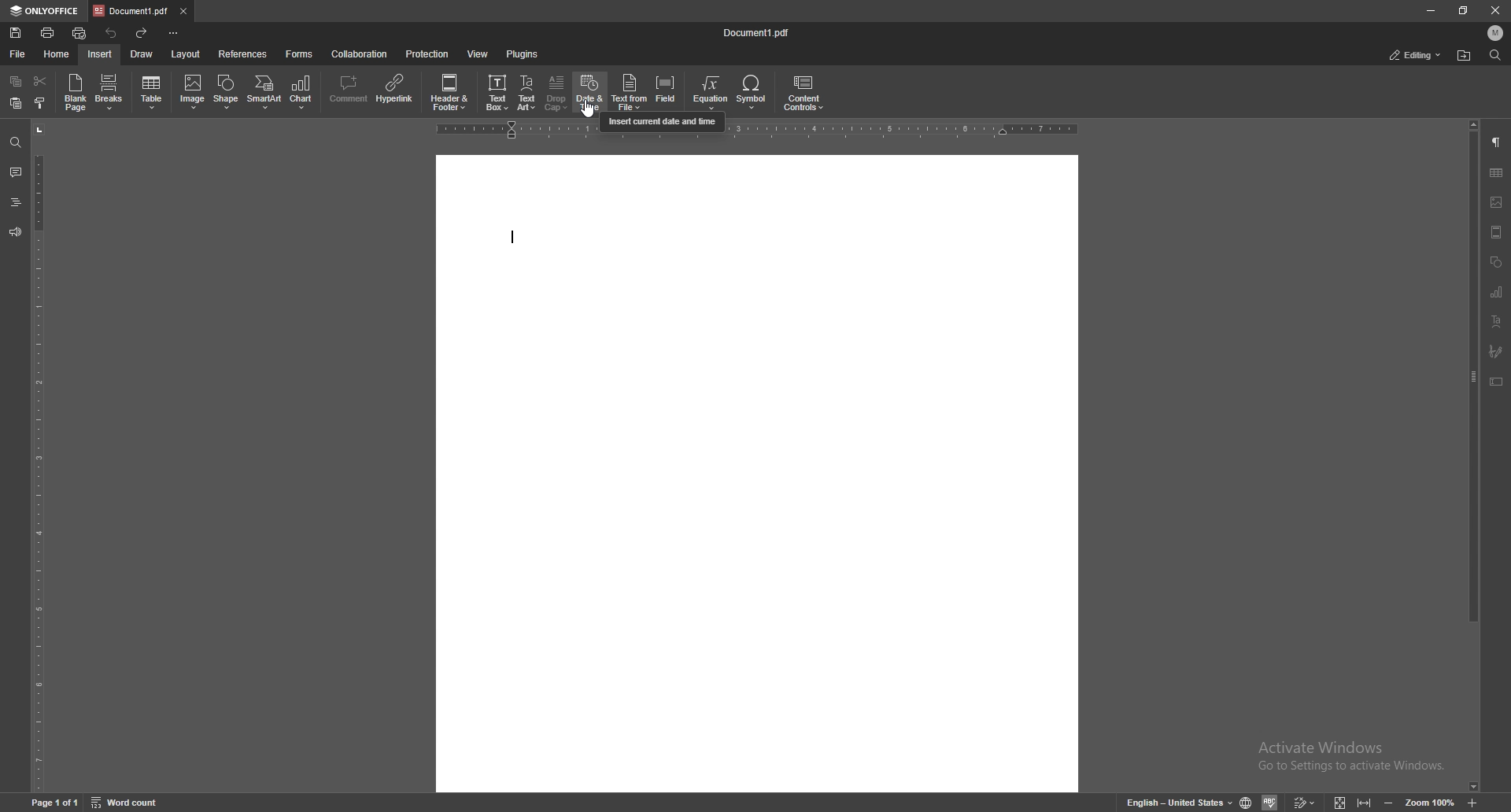 The image size is (1511, 812). What do you see at coordinates (79, 35) in the screenshot?
I see `quick print` at bounding box center [79, 35].